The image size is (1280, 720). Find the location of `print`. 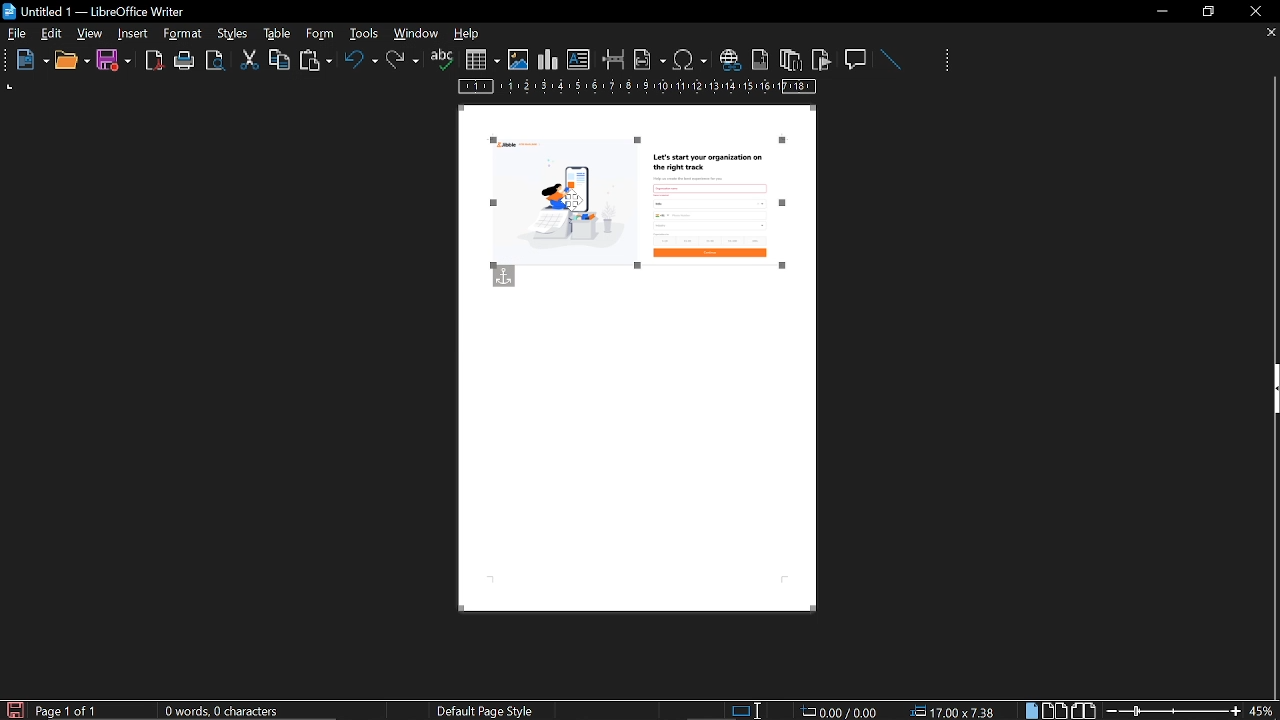

print is located at coordinates (185, 61).